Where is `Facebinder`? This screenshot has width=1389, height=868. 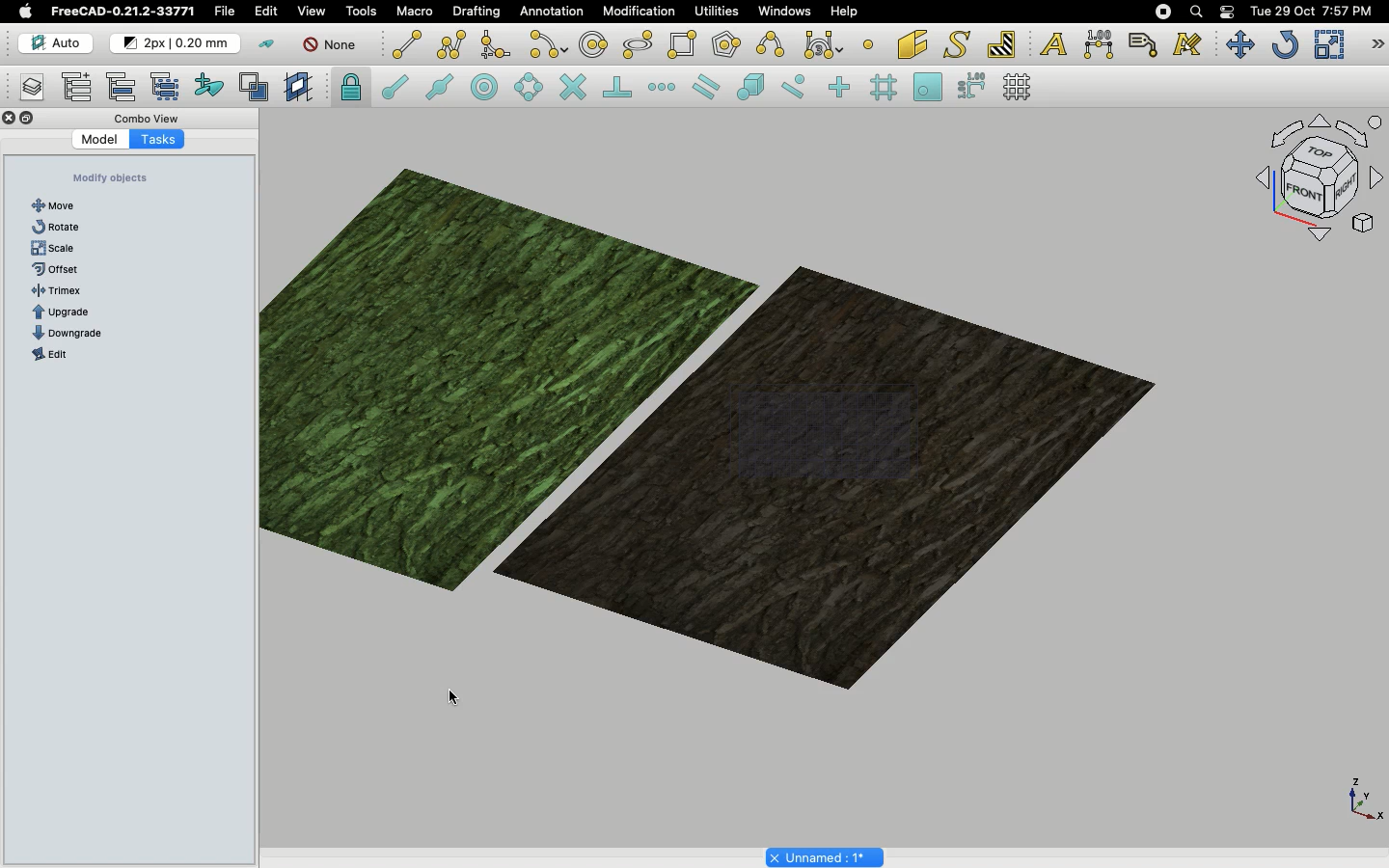
Facebinder is located at coordinates (912, 46).